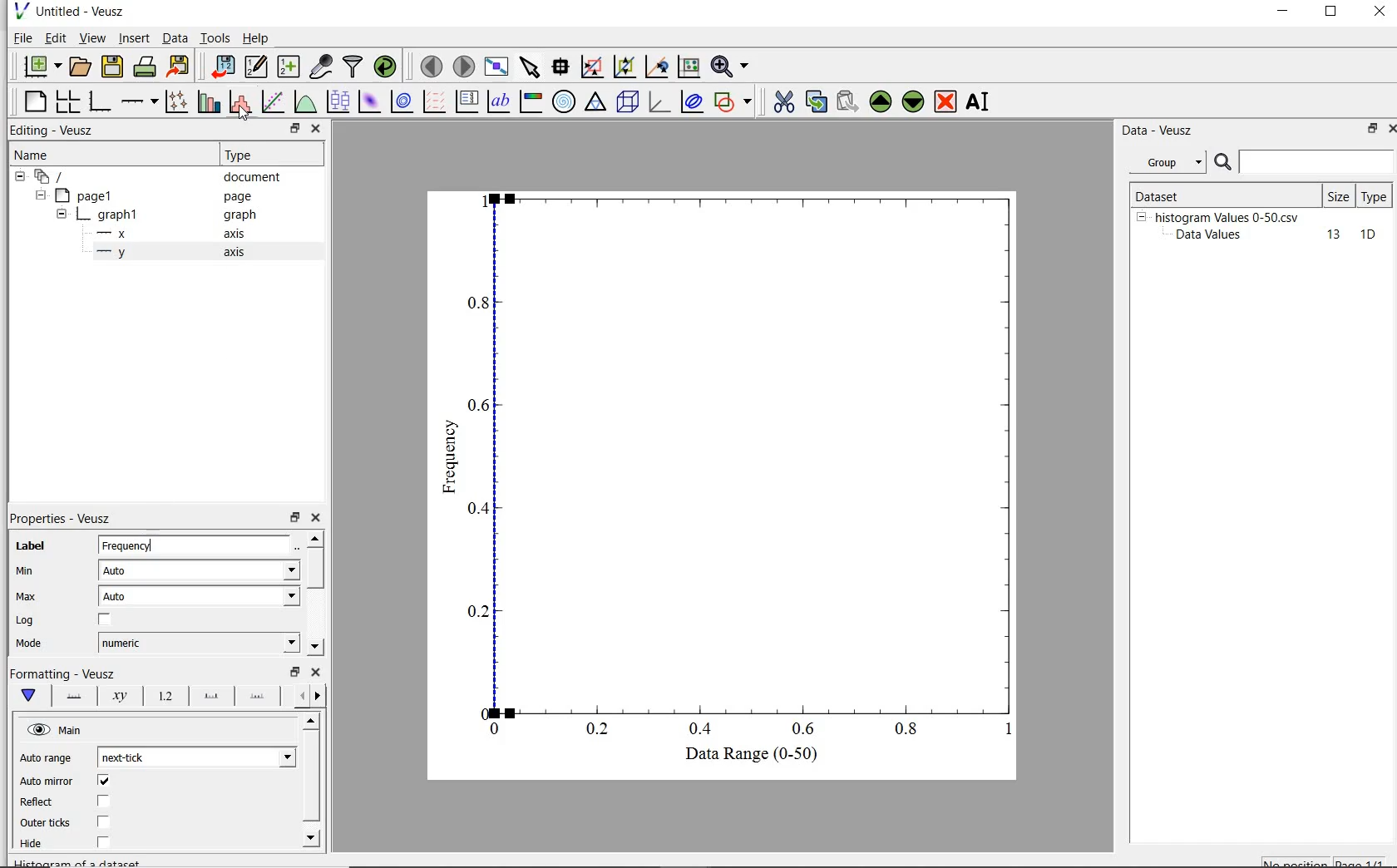  I want to click on close, so click(1389, 131).